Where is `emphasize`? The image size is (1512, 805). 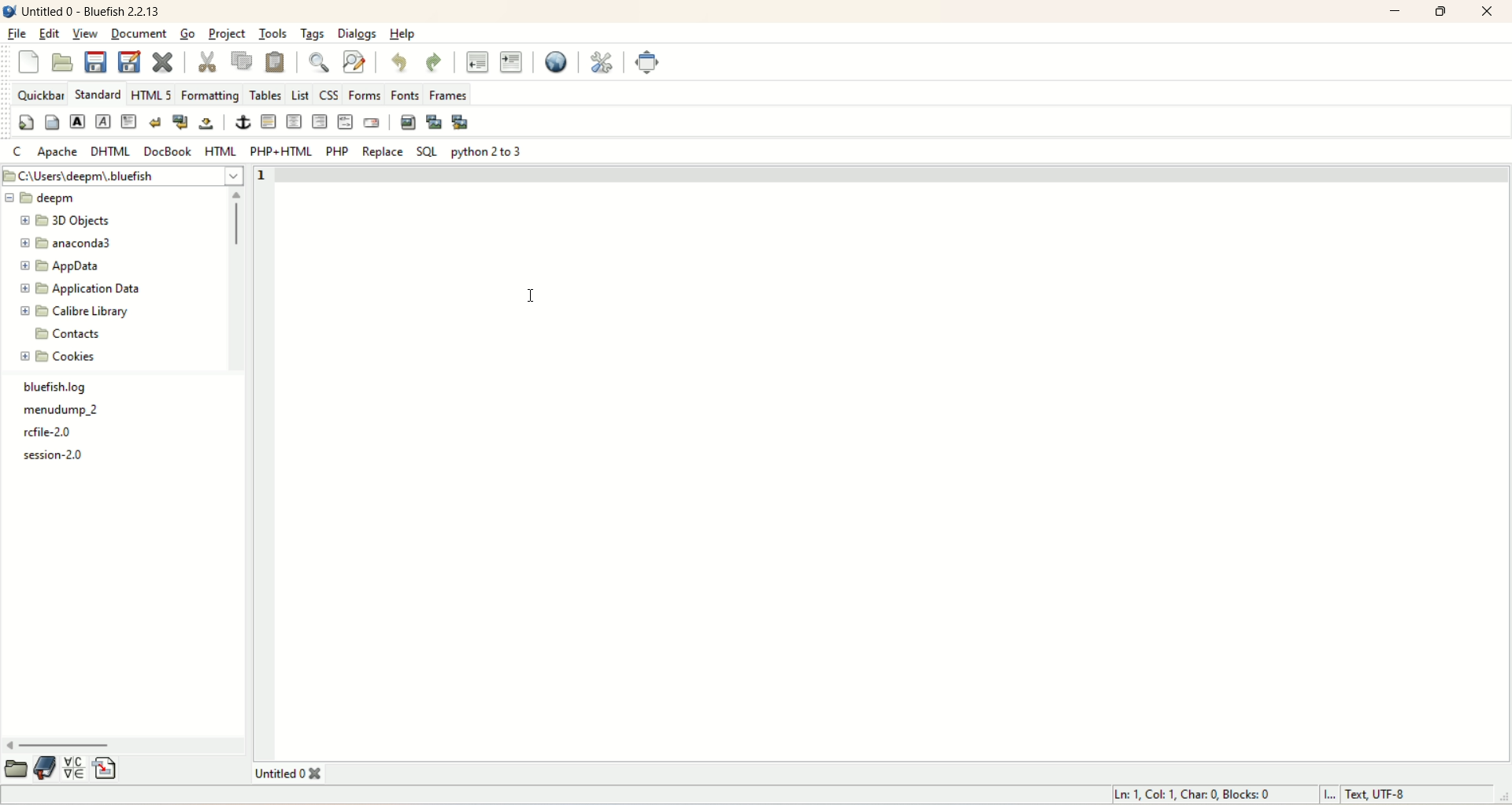 emphasize is located at coordinates (104, 121).